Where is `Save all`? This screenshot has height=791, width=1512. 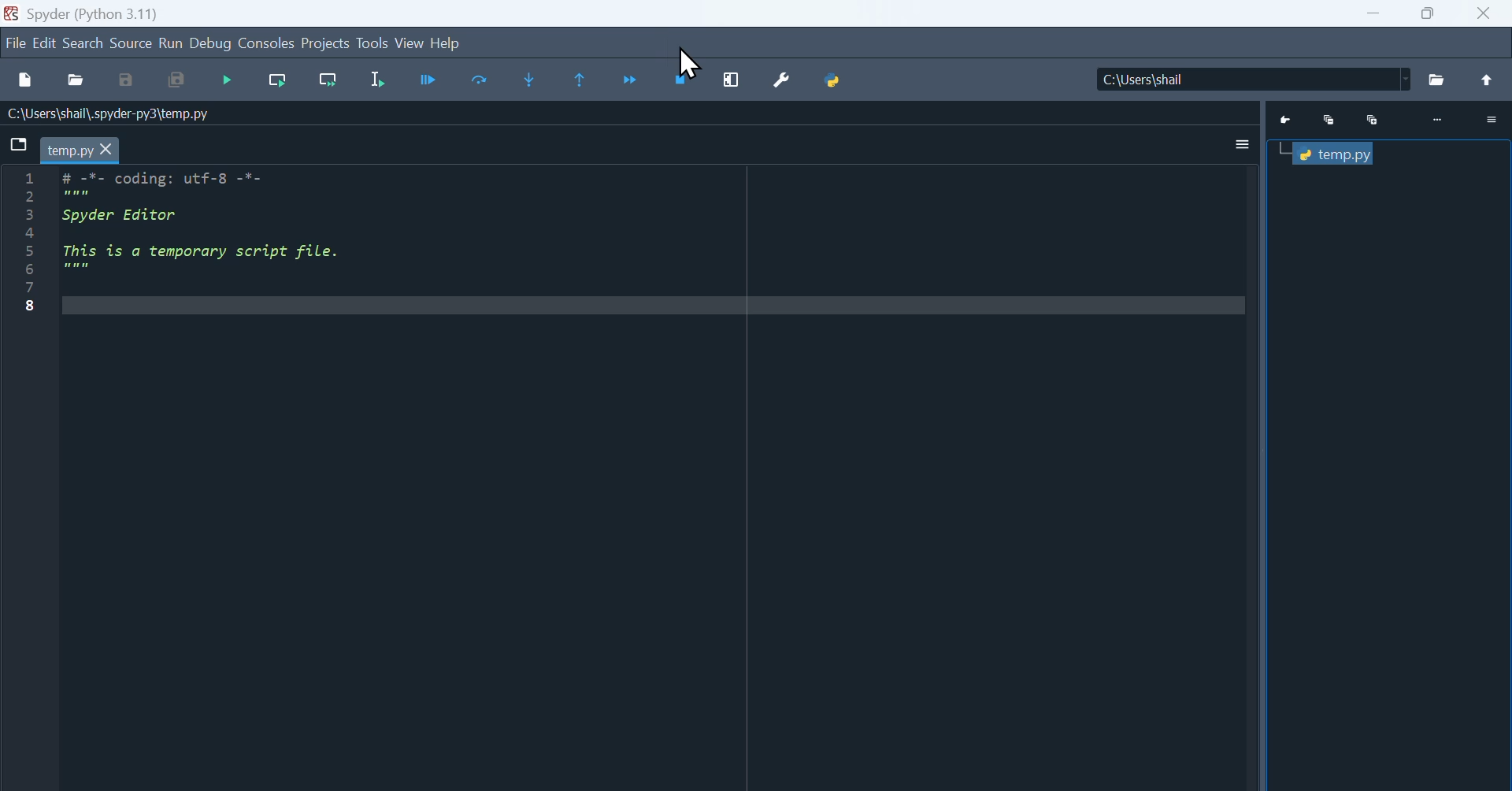
Save all is located at coordinates (176, 81).